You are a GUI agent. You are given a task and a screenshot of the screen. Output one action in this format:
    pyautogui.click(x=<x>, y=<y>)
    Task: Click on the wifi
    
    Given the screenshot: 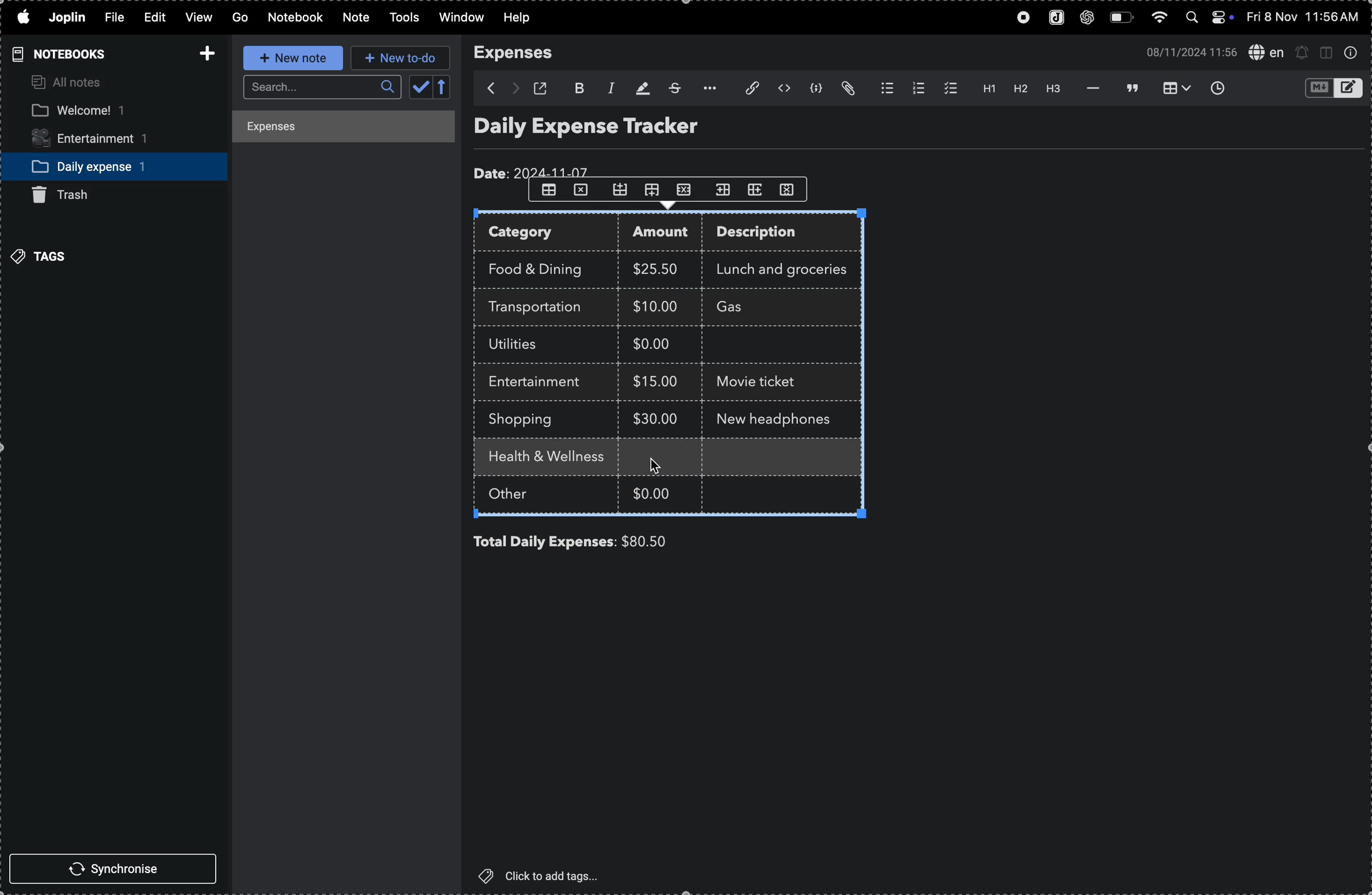 What is the action you would take?
    pyautogui.click(x=1158, y=20)
    